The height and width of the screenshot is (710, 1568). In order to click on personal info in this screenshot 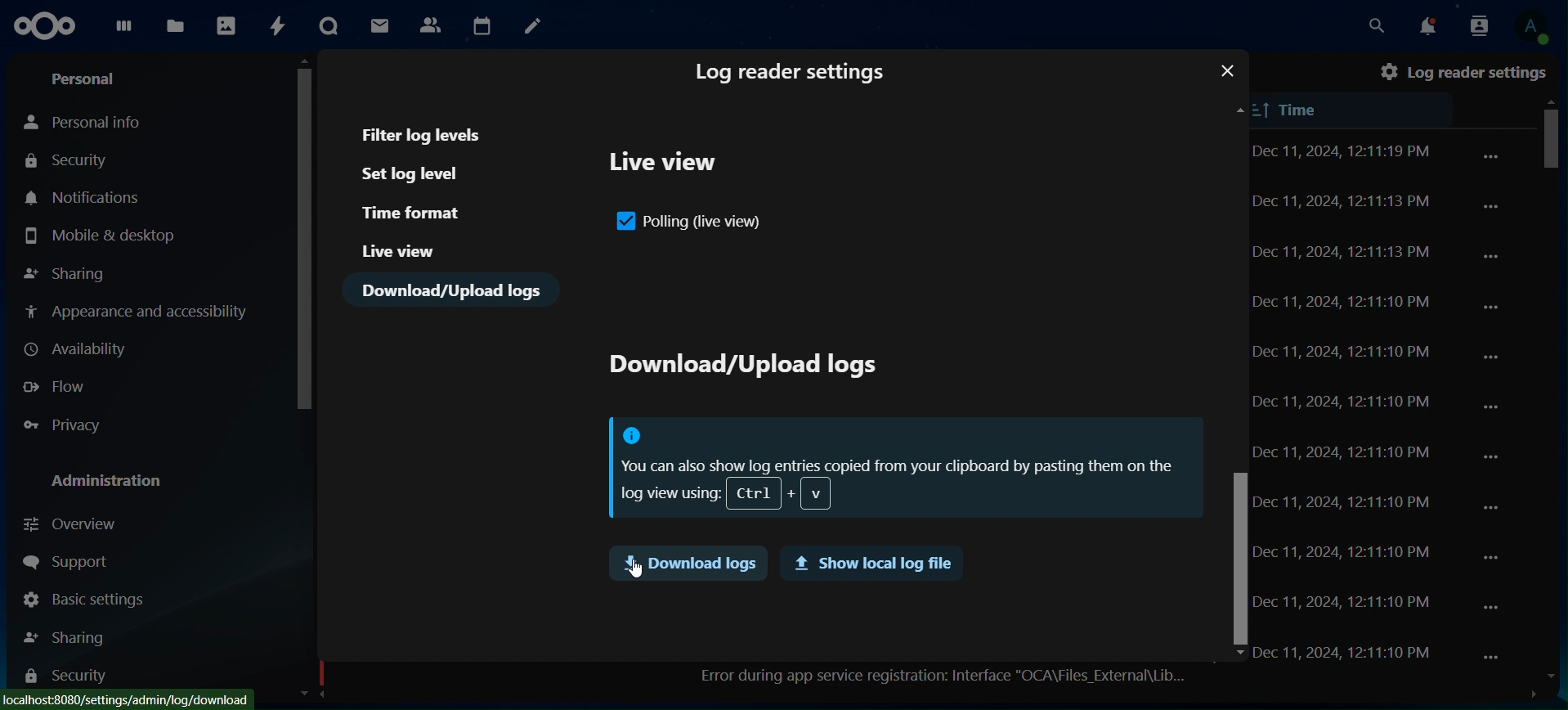, I will do `click(89, 123)`.